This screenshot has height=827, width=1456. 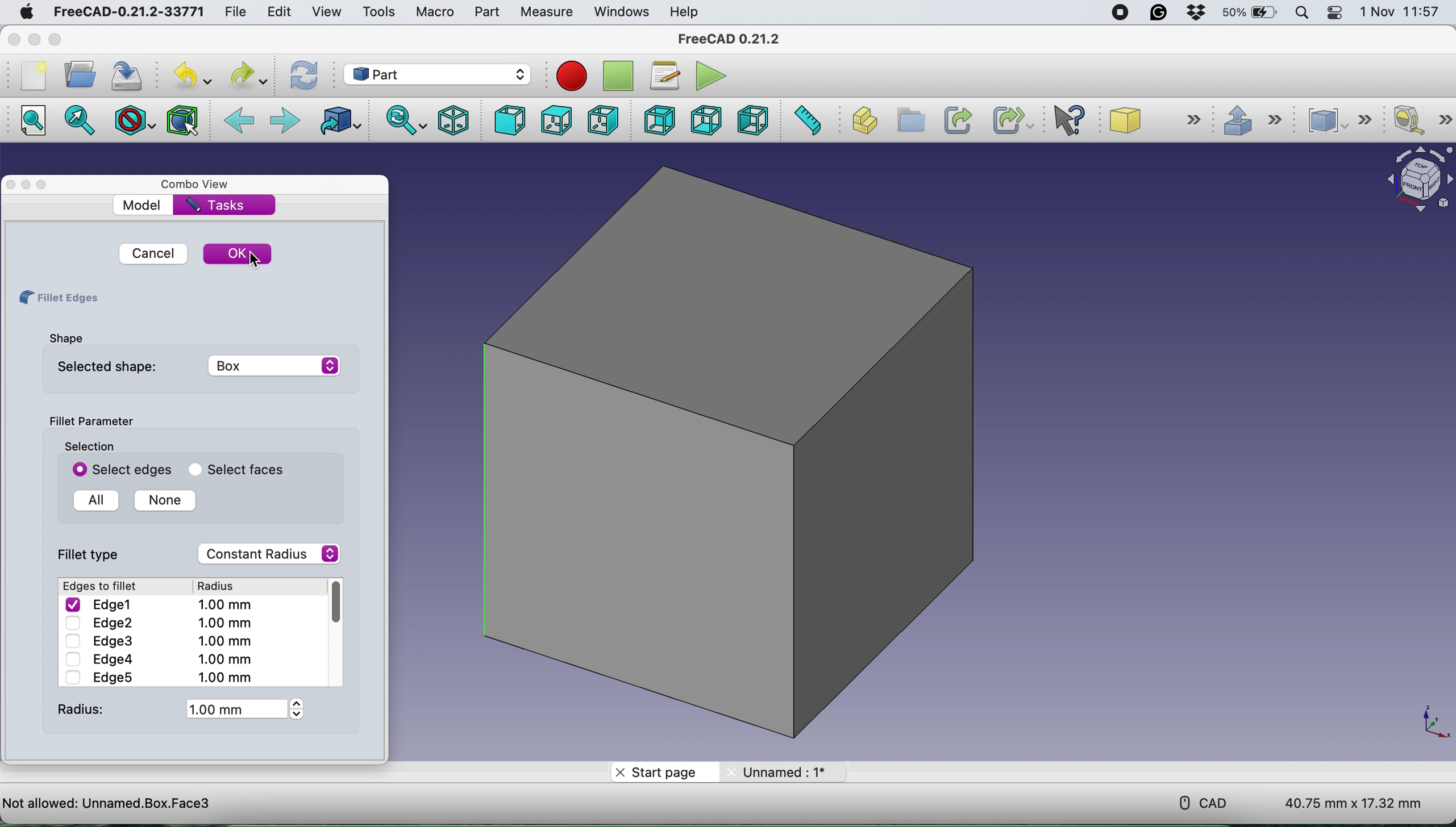 What do you see at coordinates (194, 366) in the screenshot?
I see `Selected Shape` at bounding box center [194, 366].